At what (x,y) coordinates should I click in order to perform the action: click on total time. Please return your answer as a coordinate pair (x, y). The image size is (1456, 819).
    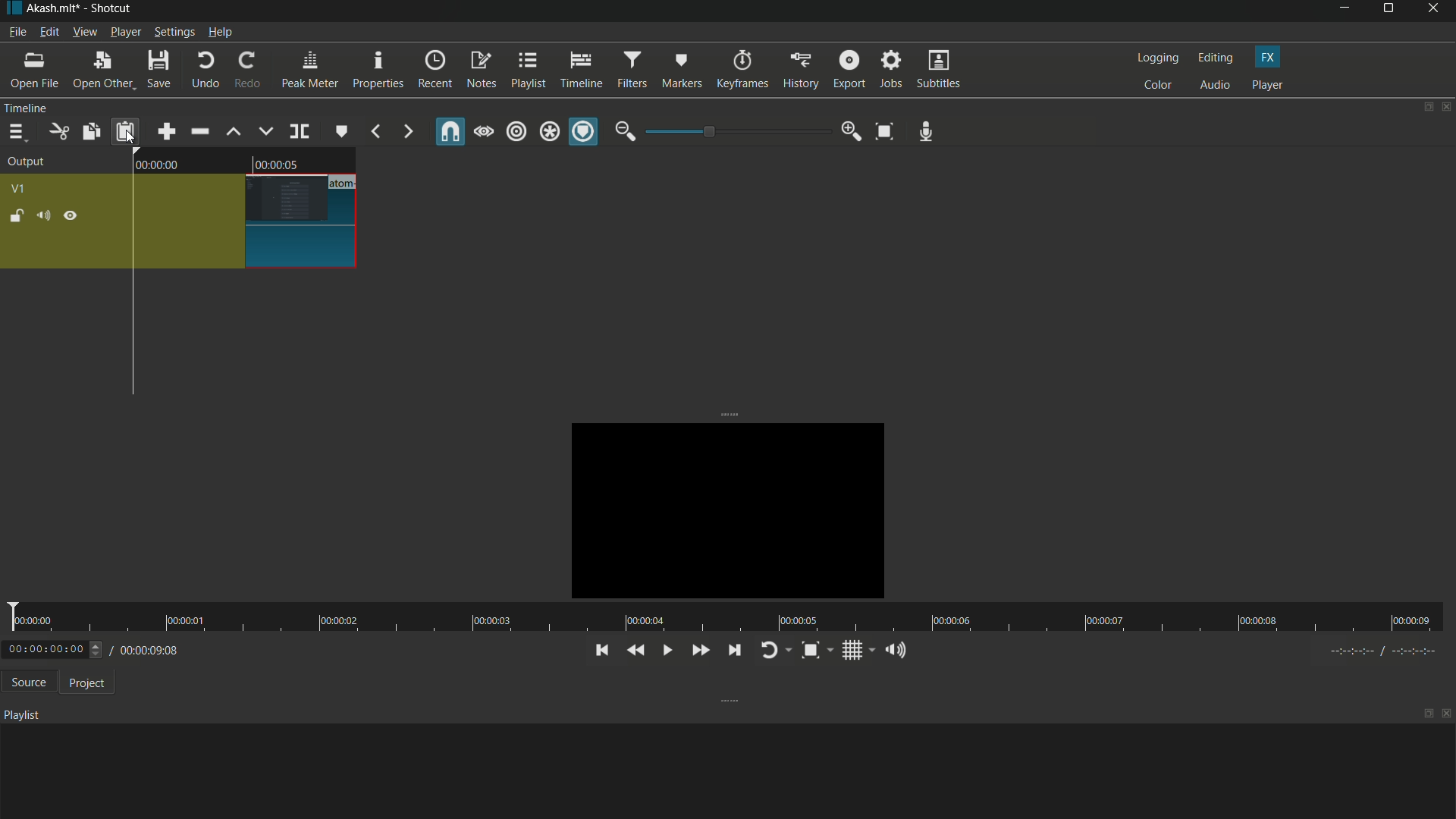
    Looking at the image, I should click on (168, 692).